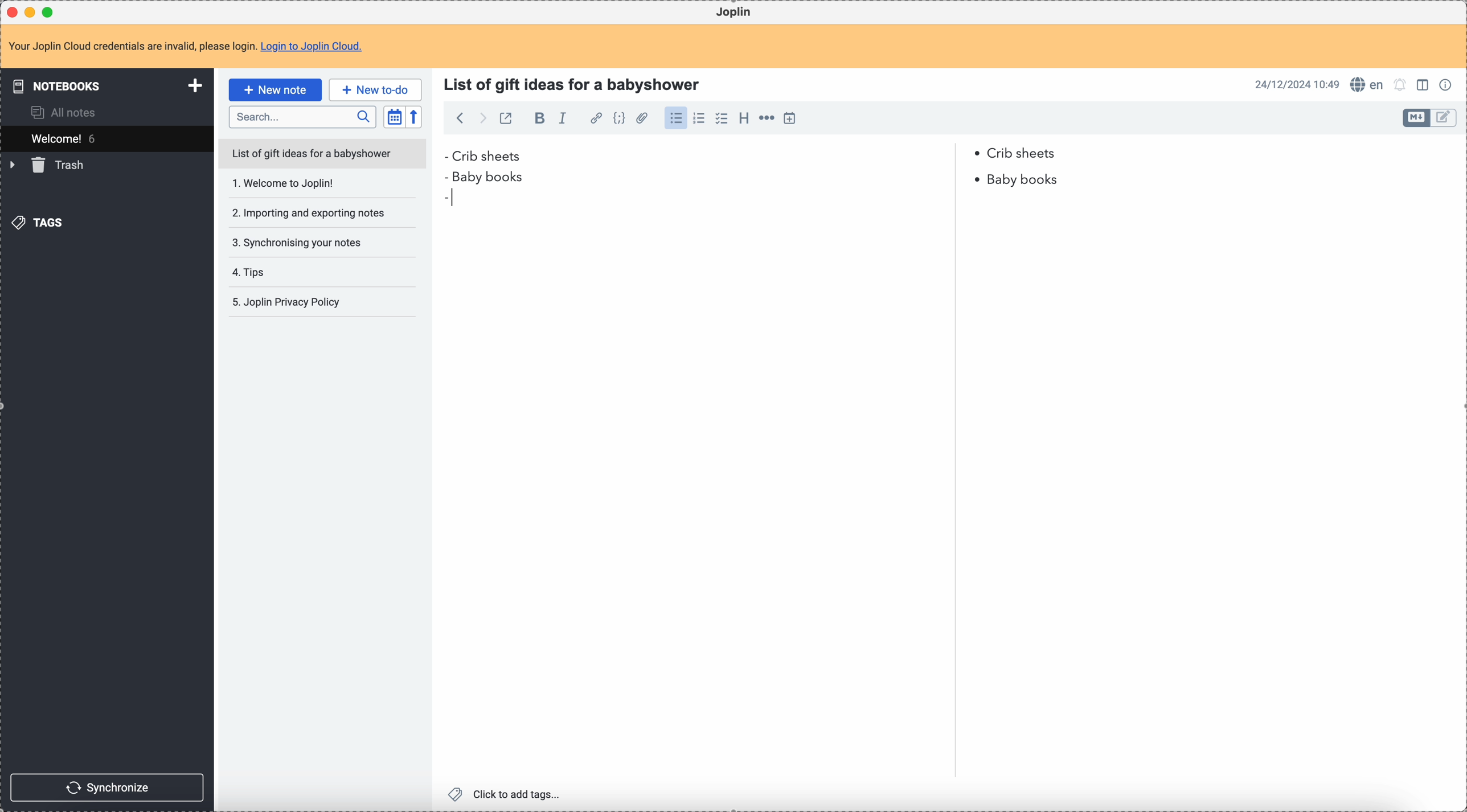 This screenshot has height=812, width=1467. What do you see at coordinates (505, 118) in the screenshot?
I see `toggle external editing` at bounding box center [505, 118].